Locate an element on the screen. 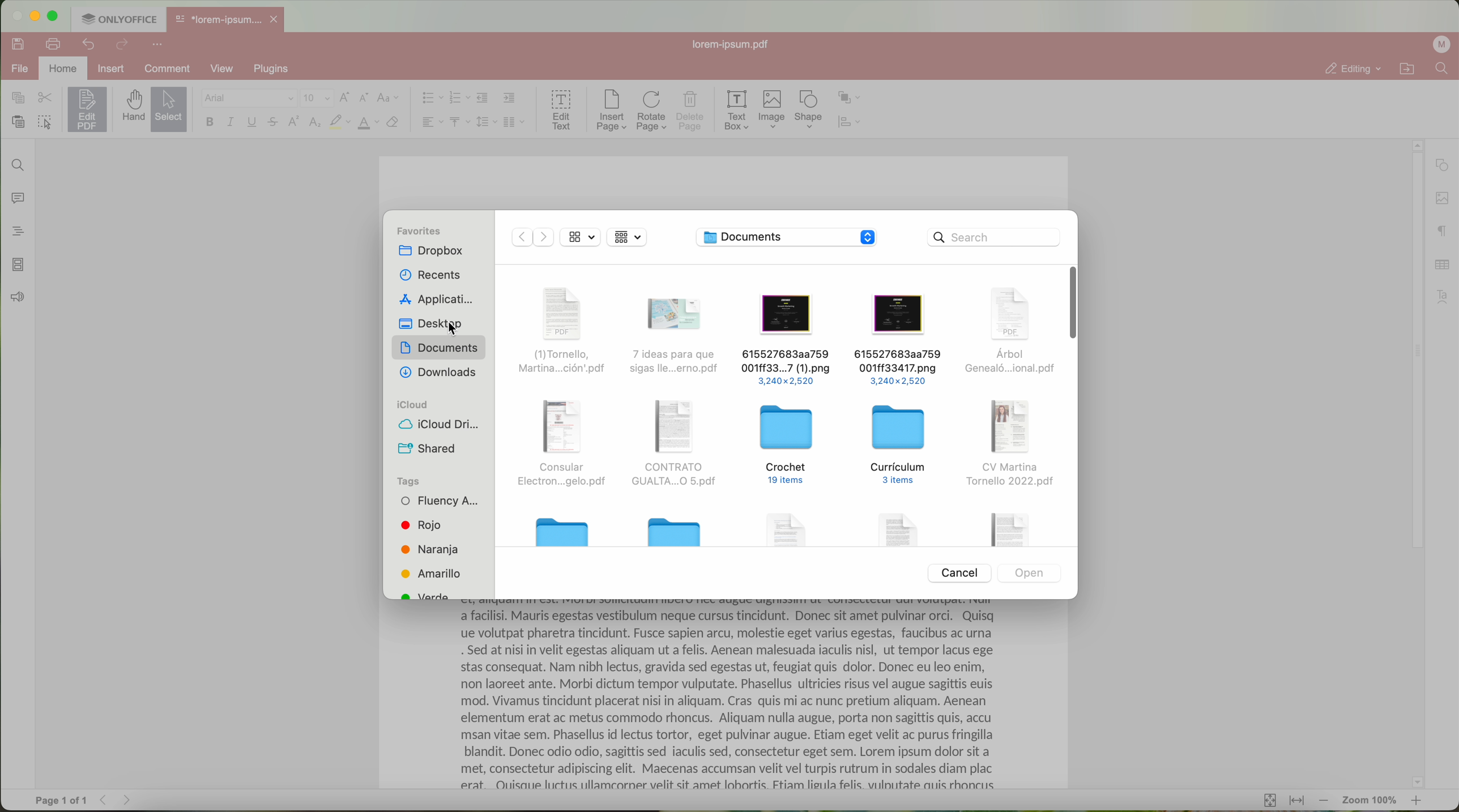 The height and width of the screenshot is (812, 1459). redo is located at coordinates (122, 45).